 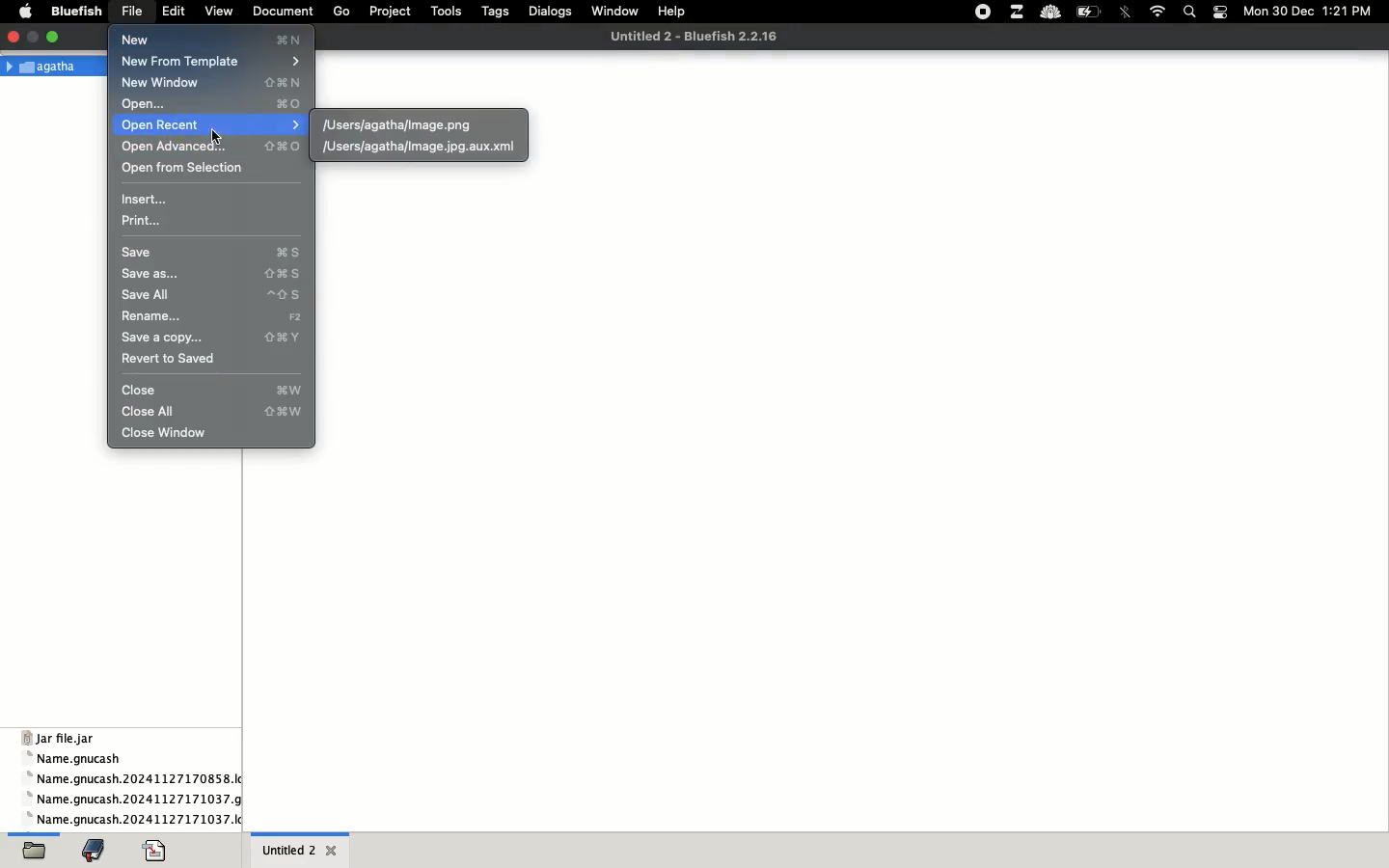 I want to click on rename, so click(x=212, y=315).